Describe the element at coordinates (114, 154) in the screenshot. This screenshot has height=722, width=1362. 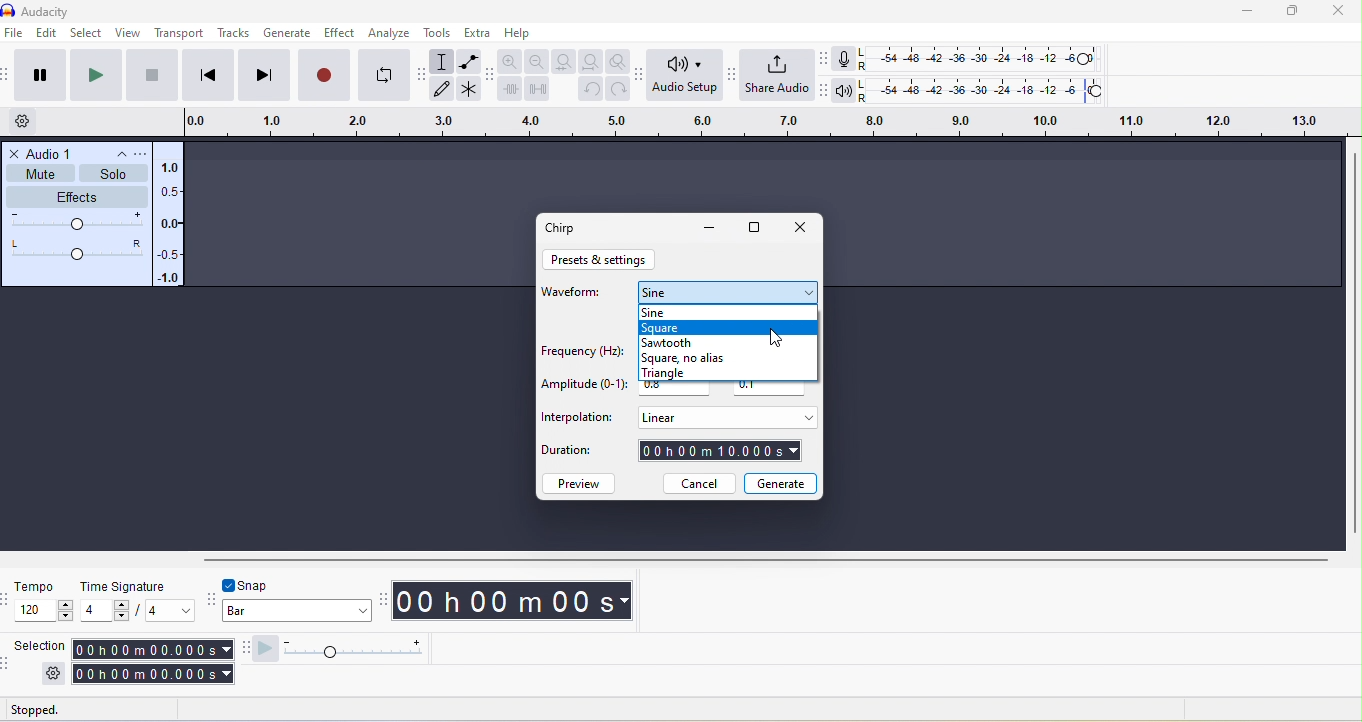
I see `collapse` at that location.